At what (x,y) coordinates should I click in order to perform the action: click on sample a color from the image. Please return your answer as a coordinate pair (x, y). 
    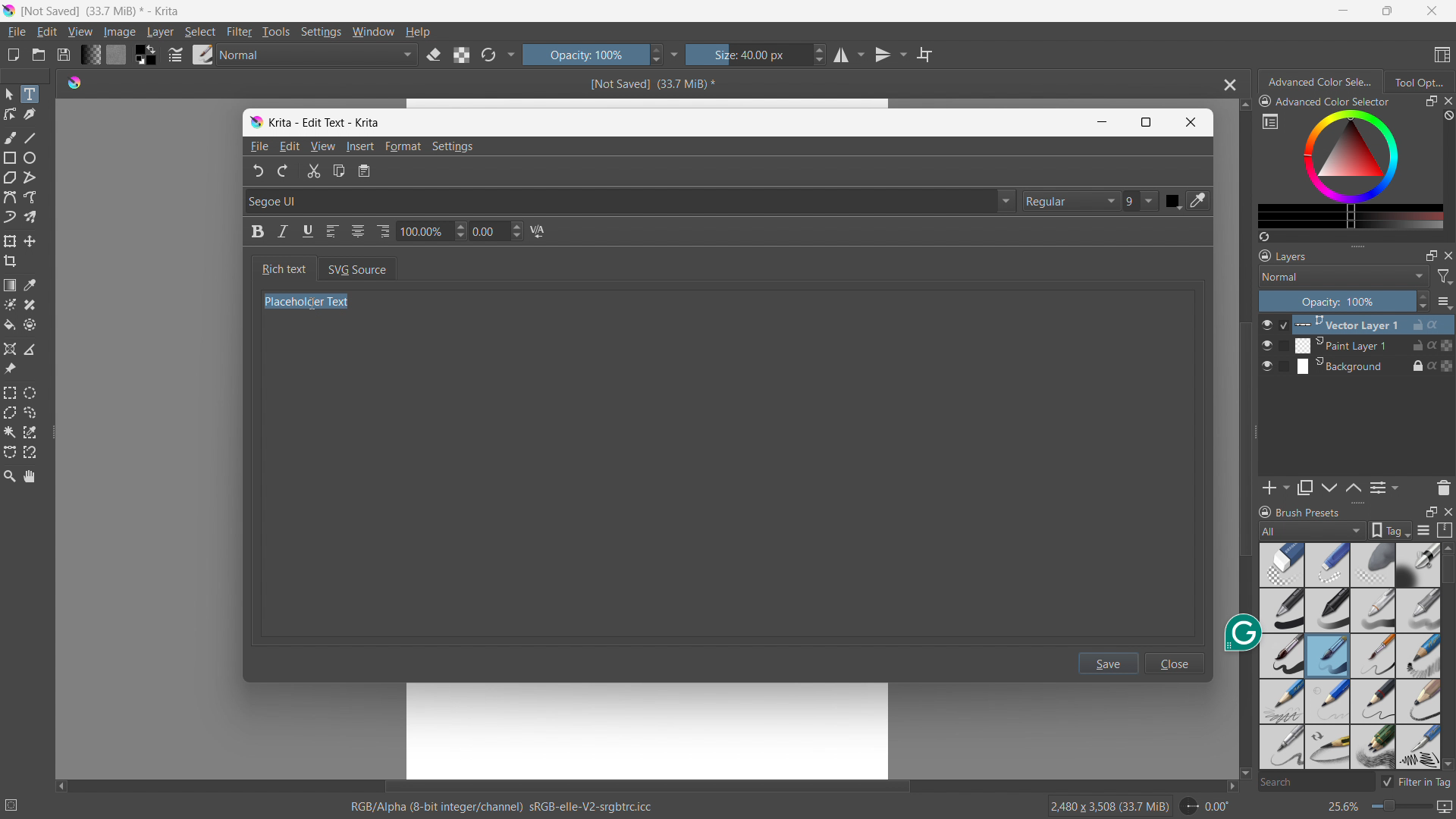
    Looking at the image, I should click on (30, 285).